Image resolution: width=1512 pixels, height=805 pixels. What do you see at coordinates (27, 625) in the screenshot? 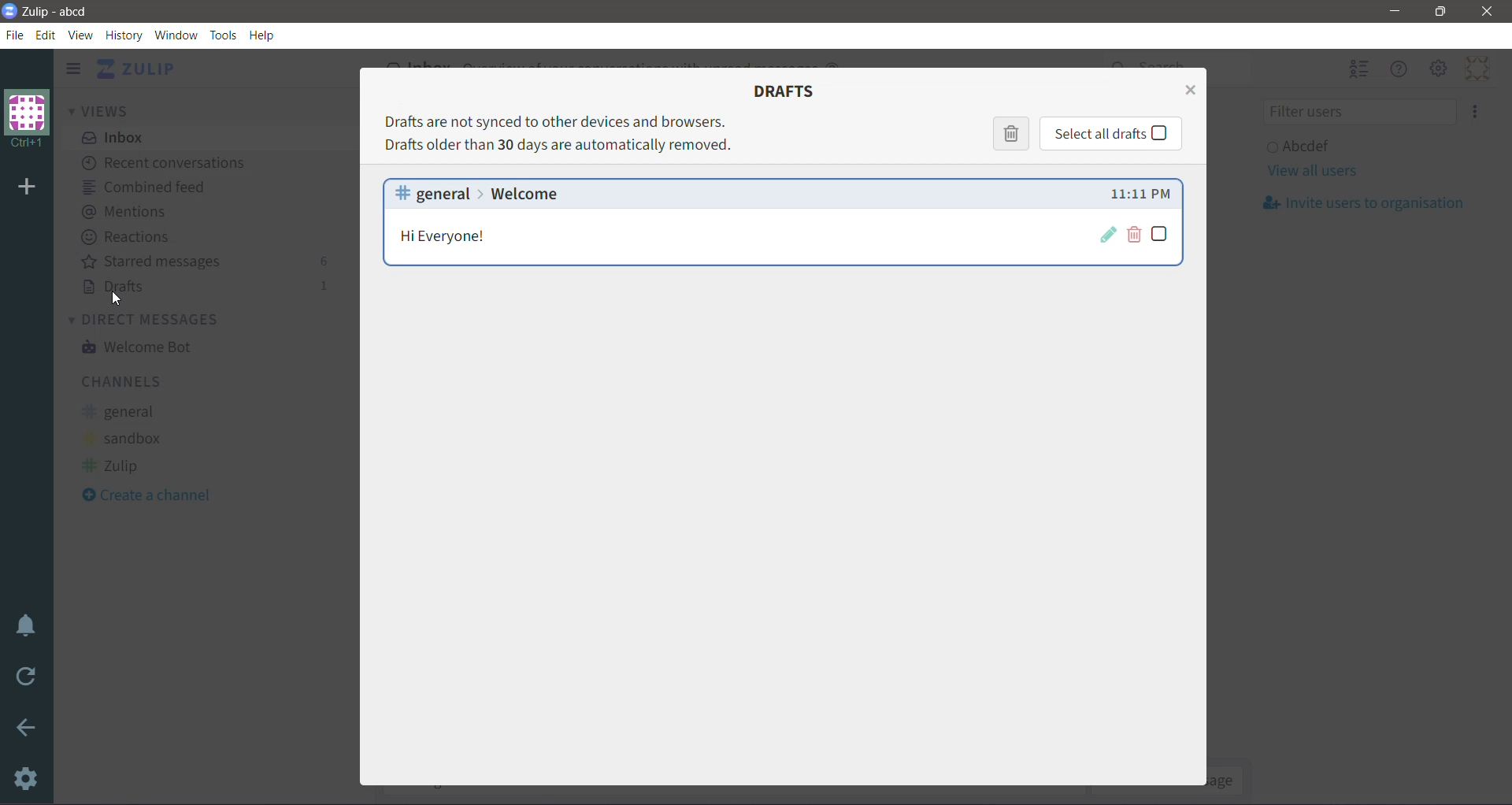
I see `Enable Do Not Disturb` at bounding box center [27, 625].